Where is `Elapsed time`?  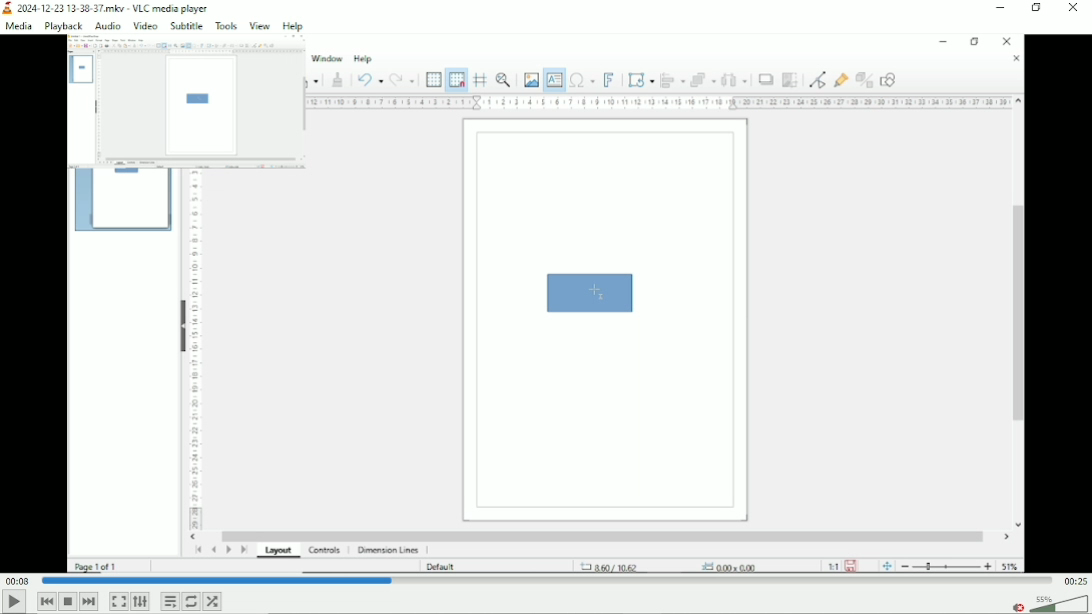 Elapsed time is located at coordinates (16, 581).